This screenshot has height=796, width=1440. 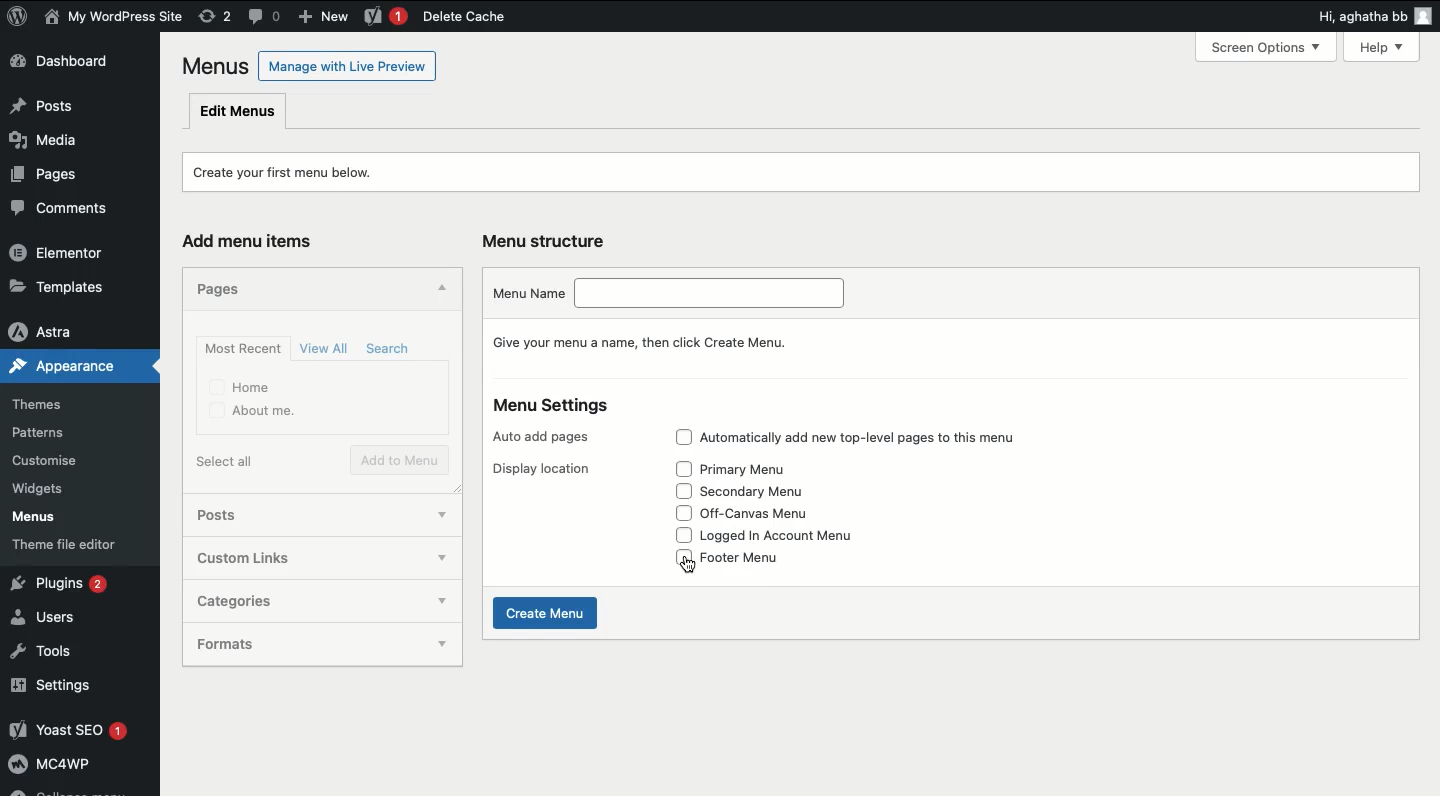 What do you see at coordinates (58, 370) in the screenshot?
I see `Appearance` at bounding box center [58, 370].